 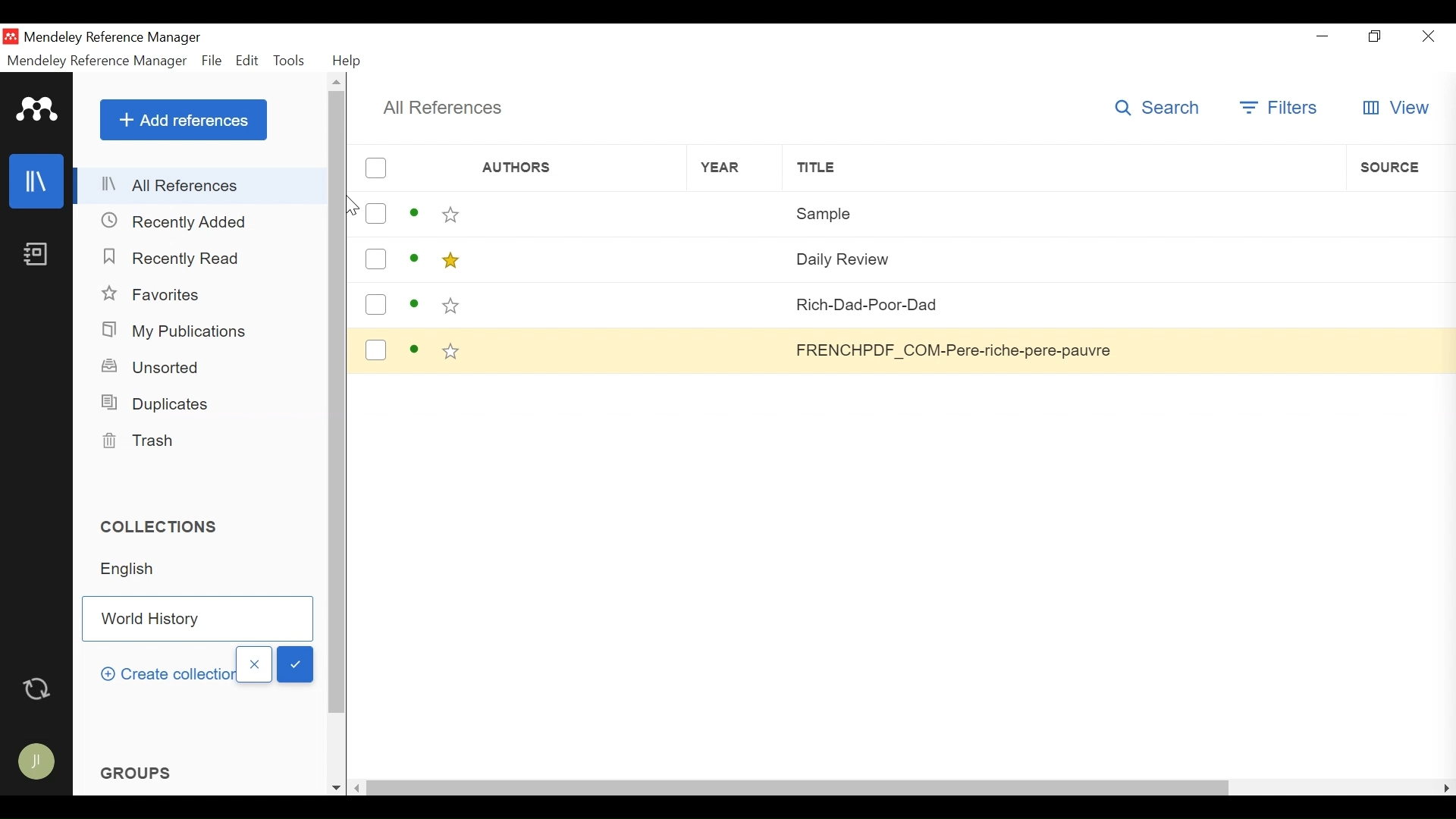 What do you see at coordinates (174, 221) in the screenshot?
I see `Recently Added` at bounding box center [174, 221].